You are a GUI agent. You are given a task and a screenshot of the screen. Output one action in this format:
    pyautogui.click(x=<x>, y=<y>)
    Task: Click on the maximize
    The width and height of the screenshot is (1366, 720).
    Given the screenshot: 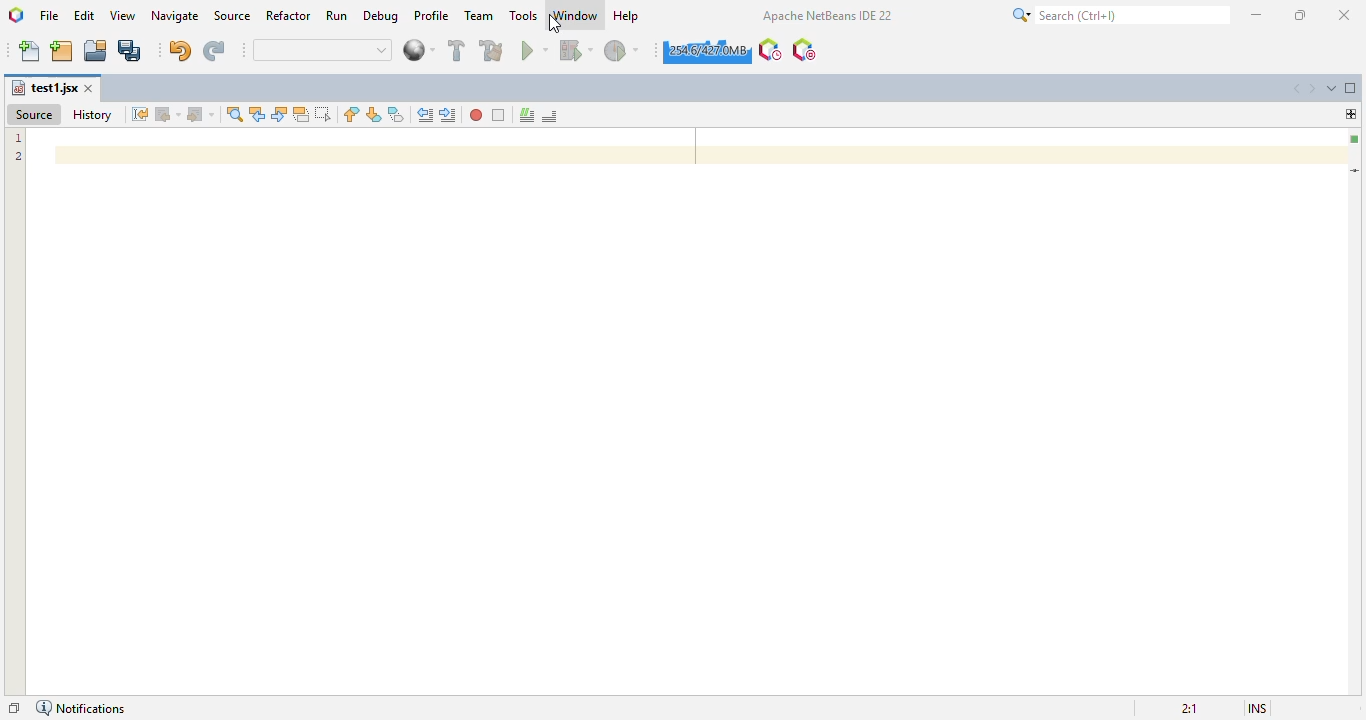 What is the action you would take?
    pyautogui.click(x=1300, y=15)
    